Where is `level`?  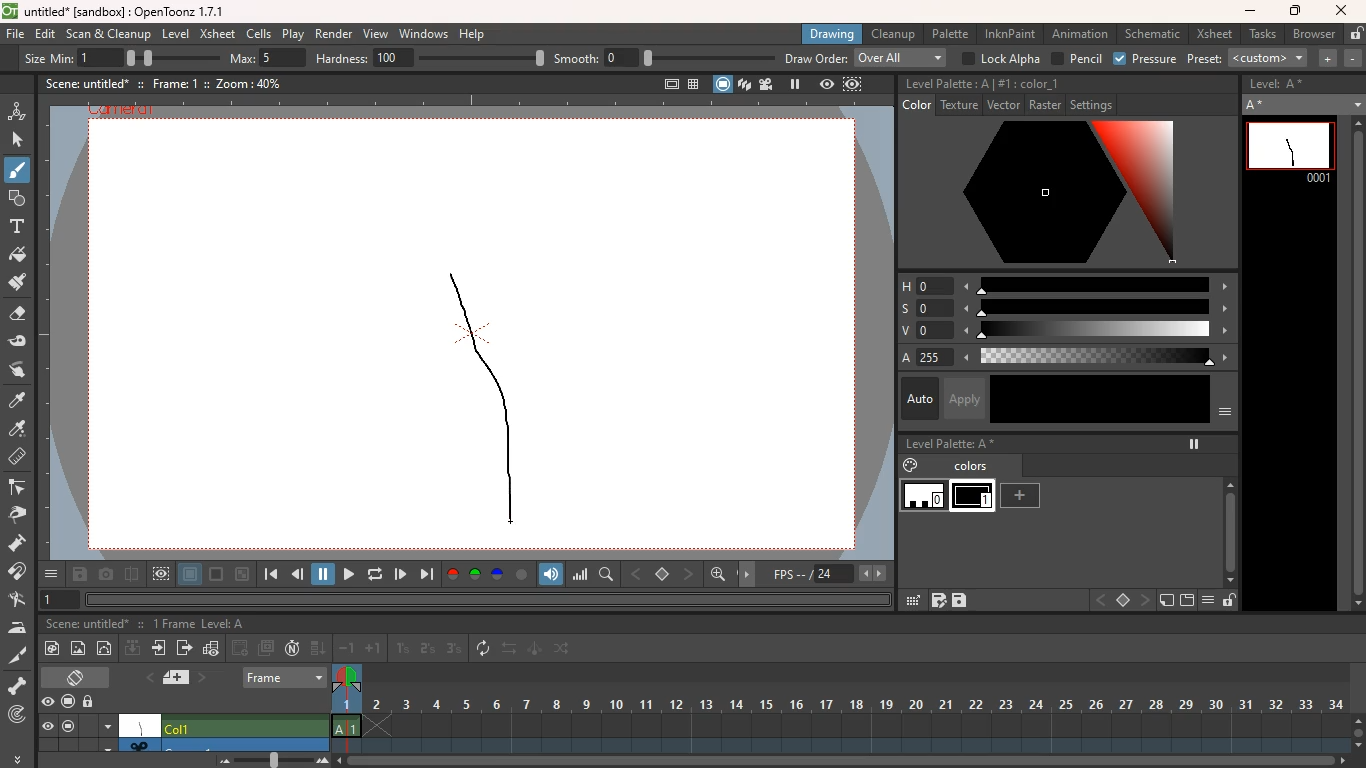 level is located at coordinates (178, 33).